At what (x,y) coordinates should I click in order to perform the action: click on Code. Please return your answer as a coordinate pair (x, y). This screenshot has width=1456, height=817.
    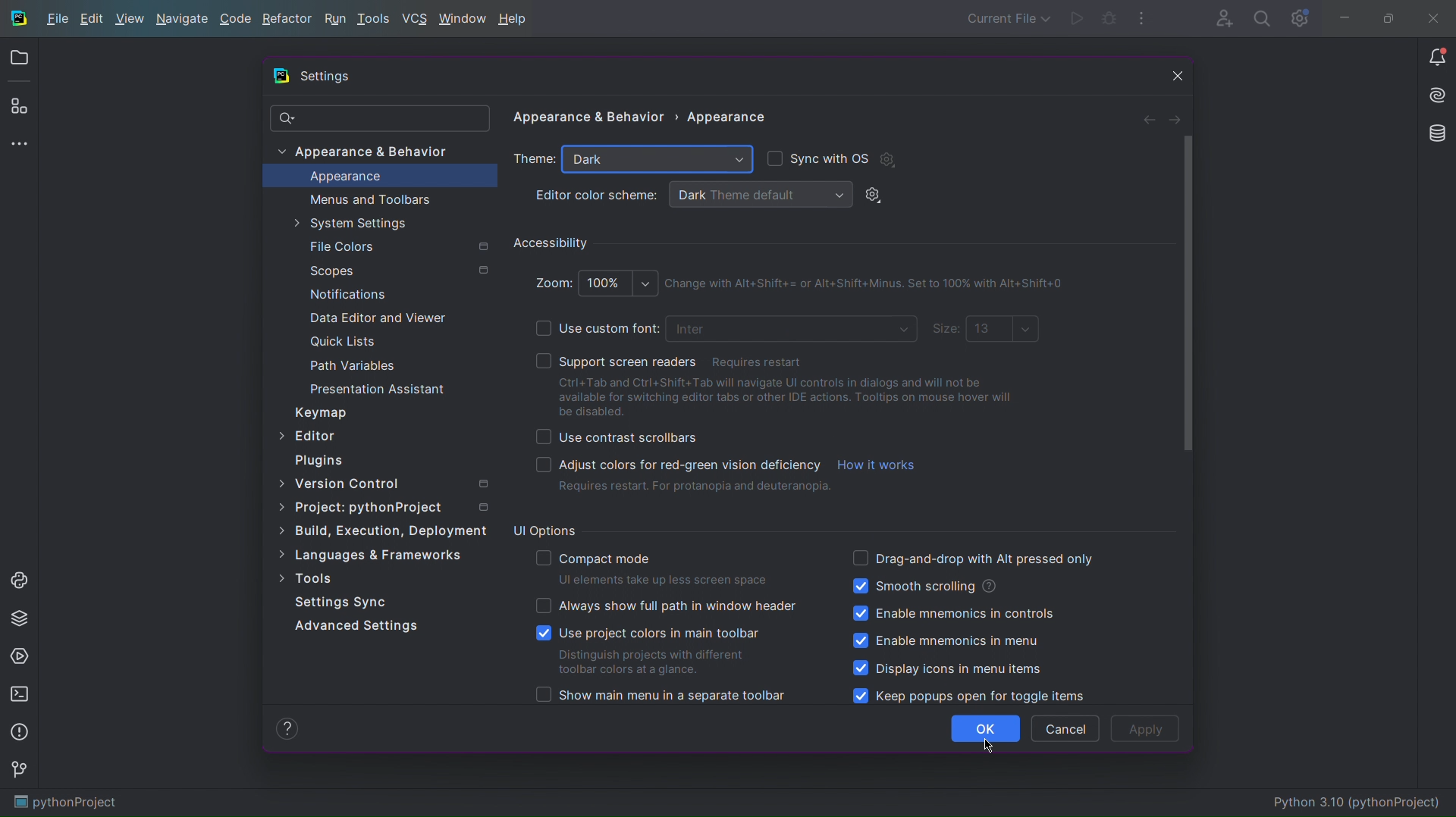
    Looking at the image, I should click on (237, 18).